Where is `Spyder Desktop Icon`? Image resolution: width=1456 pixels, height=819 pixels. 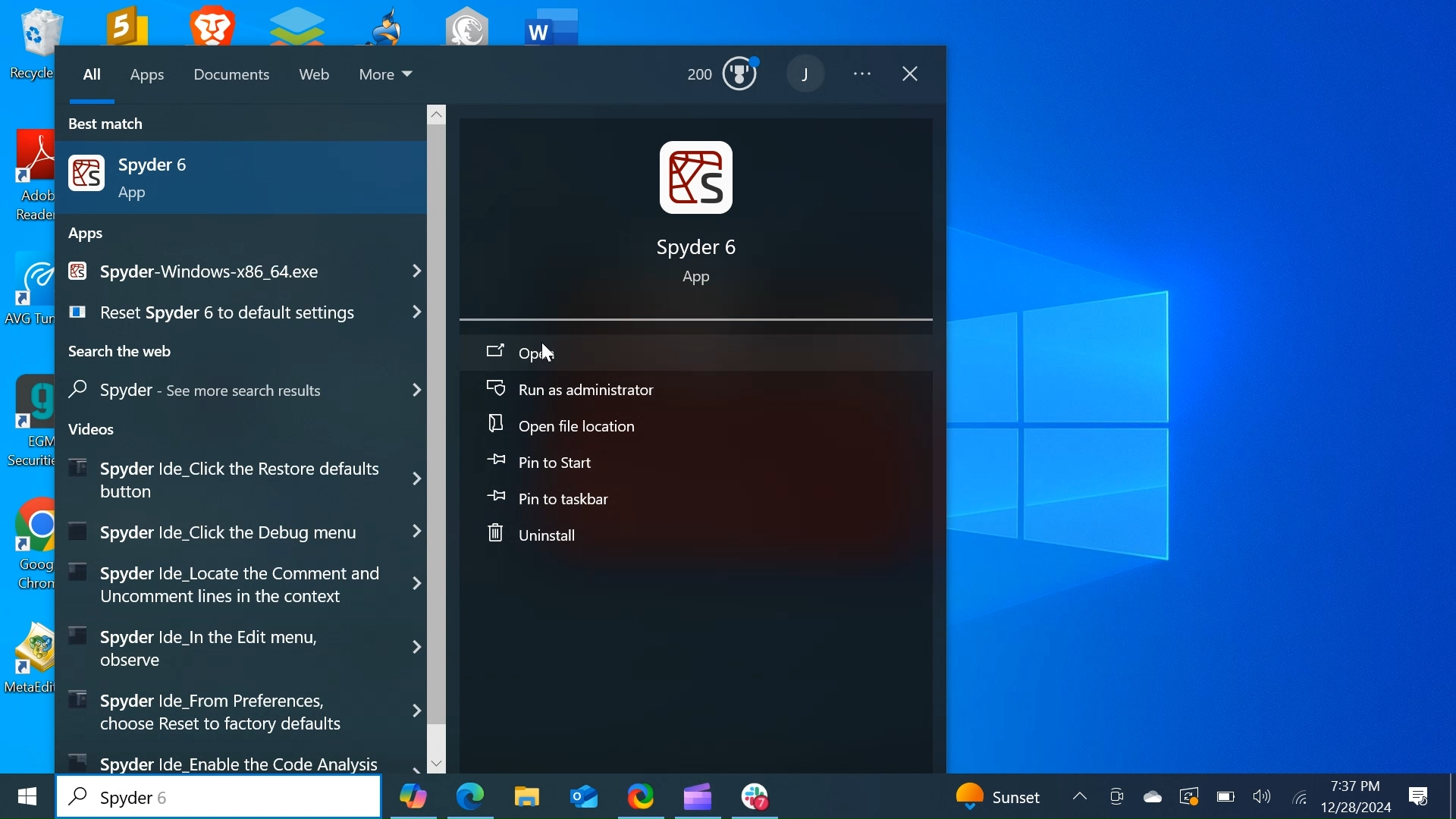
Spyder Desktop Icon is located at coordinates (239, 176).